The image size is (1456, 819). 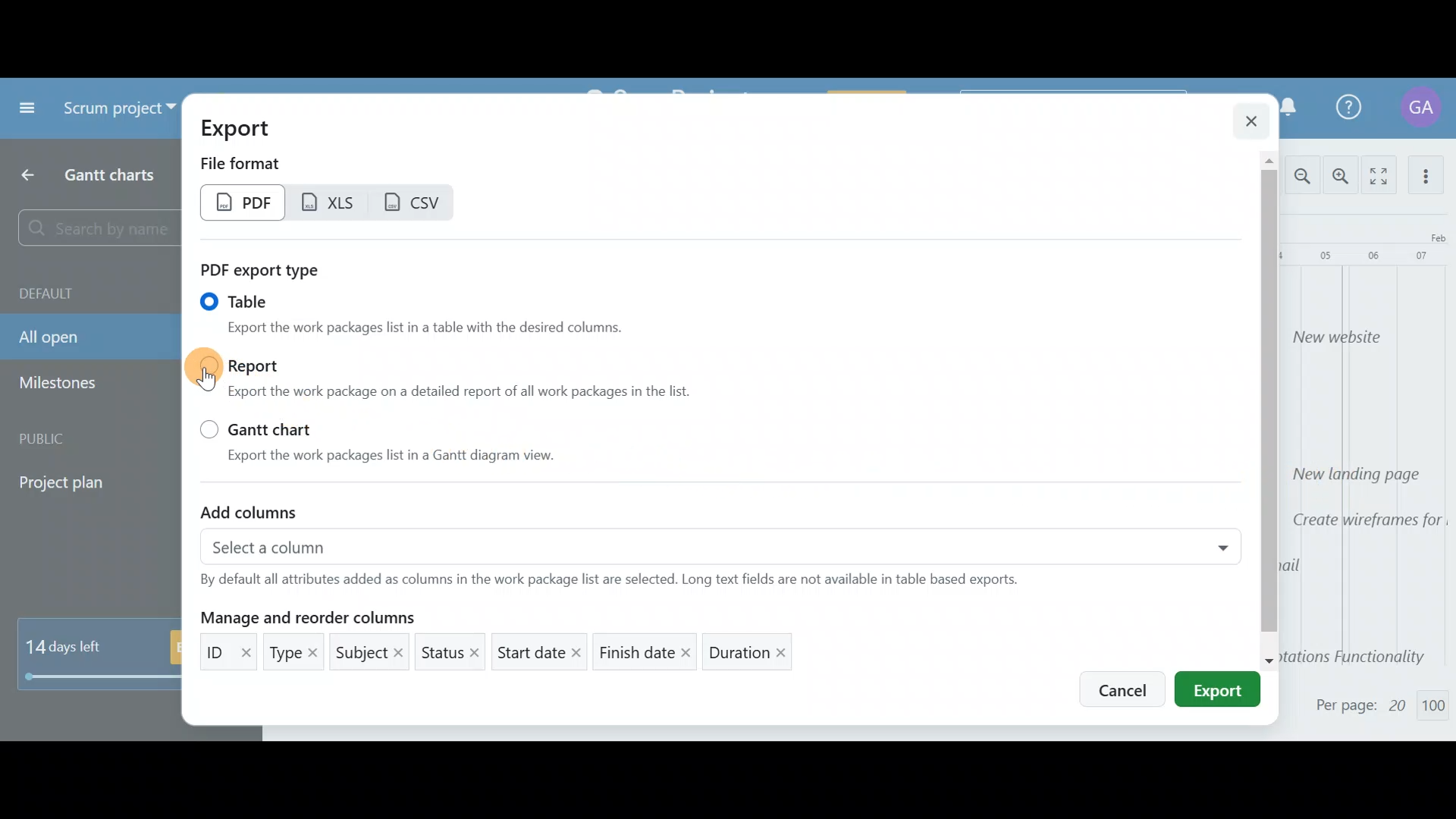 I want to click on Cancel, so click(x=1125, y=687).